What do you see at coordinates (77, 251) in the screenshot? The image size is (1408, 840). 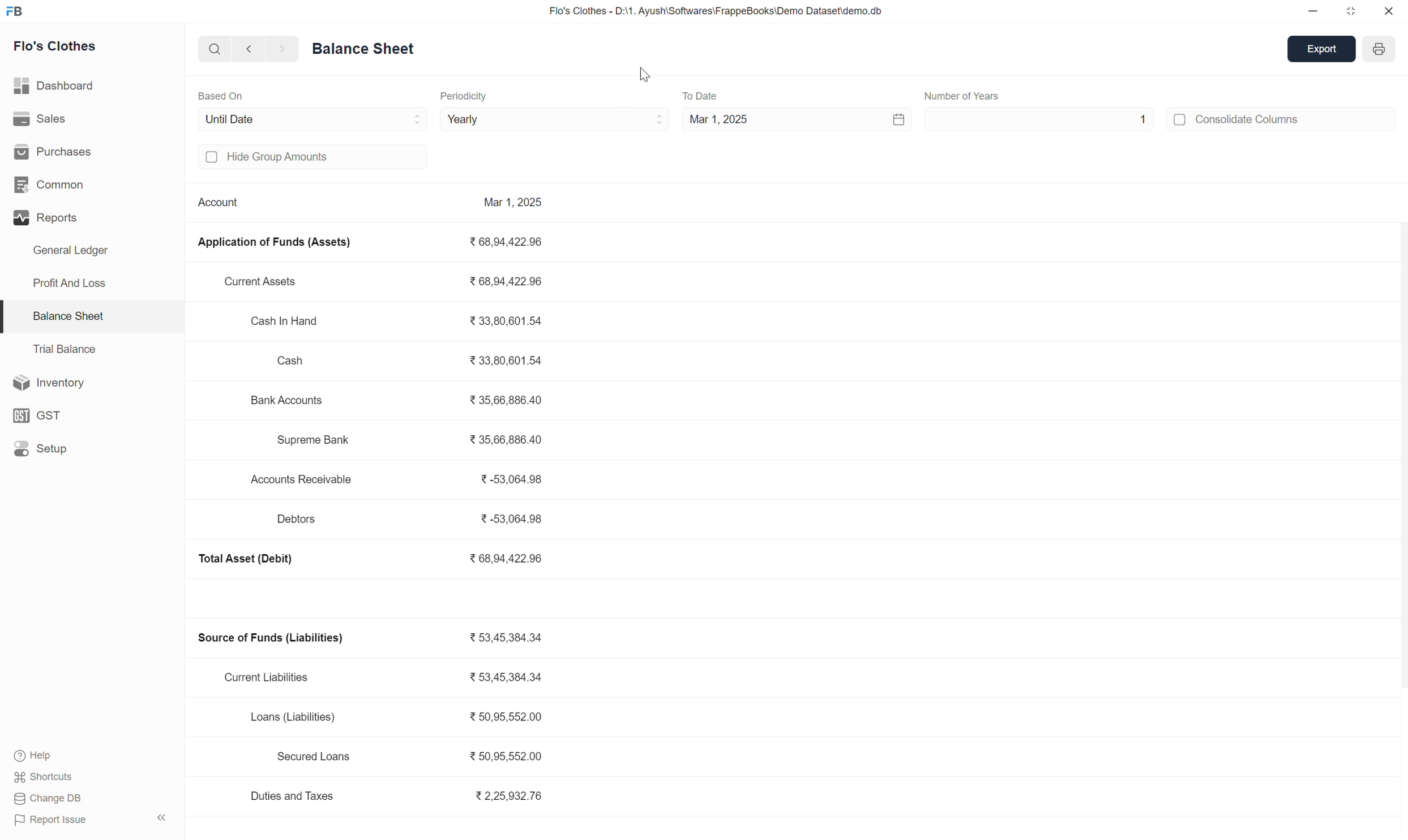 I see `General Ledger` at bounding box center [77, 251].